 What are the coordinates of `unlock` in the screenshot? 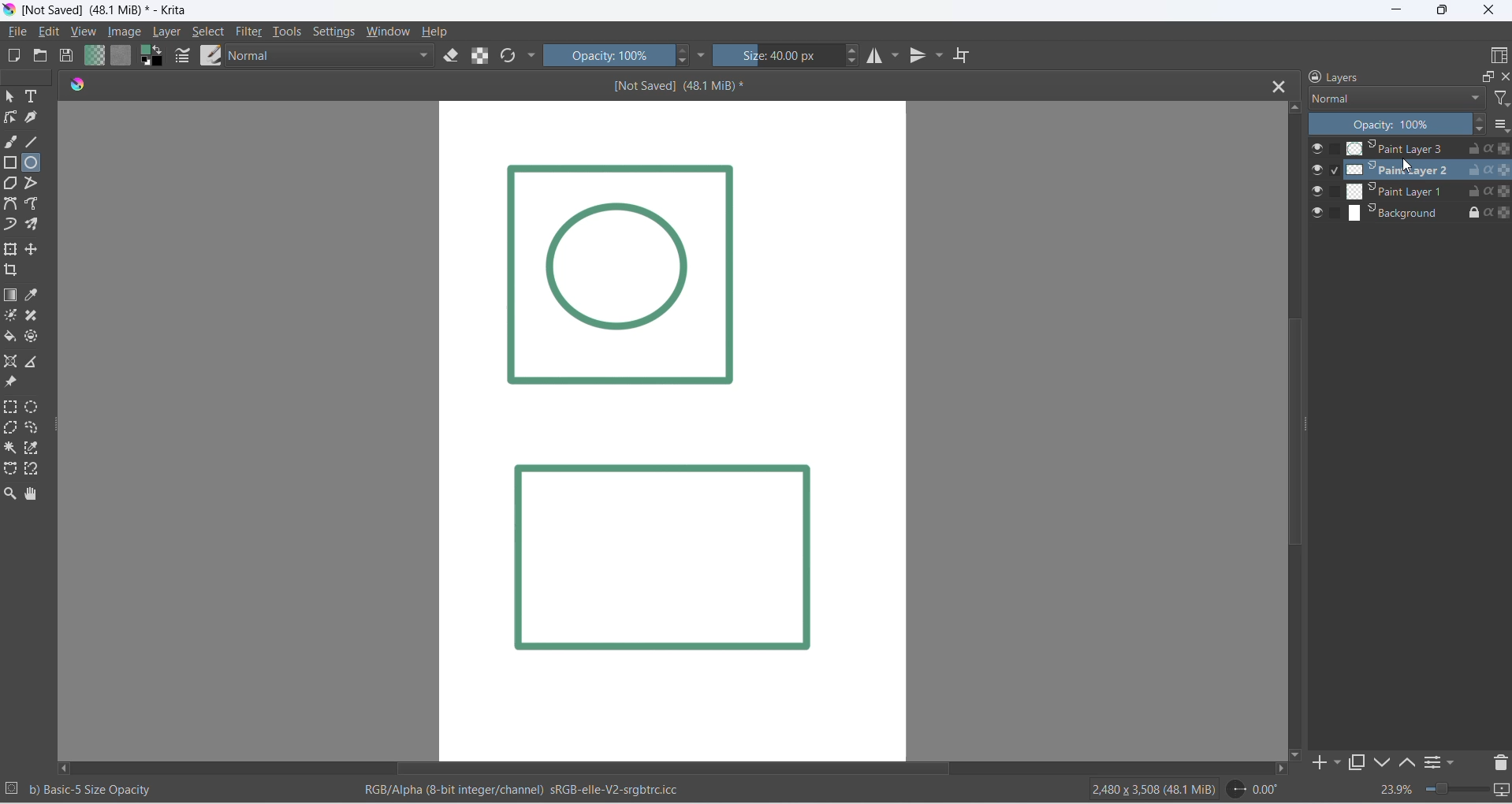 It's located at (1469, 148).